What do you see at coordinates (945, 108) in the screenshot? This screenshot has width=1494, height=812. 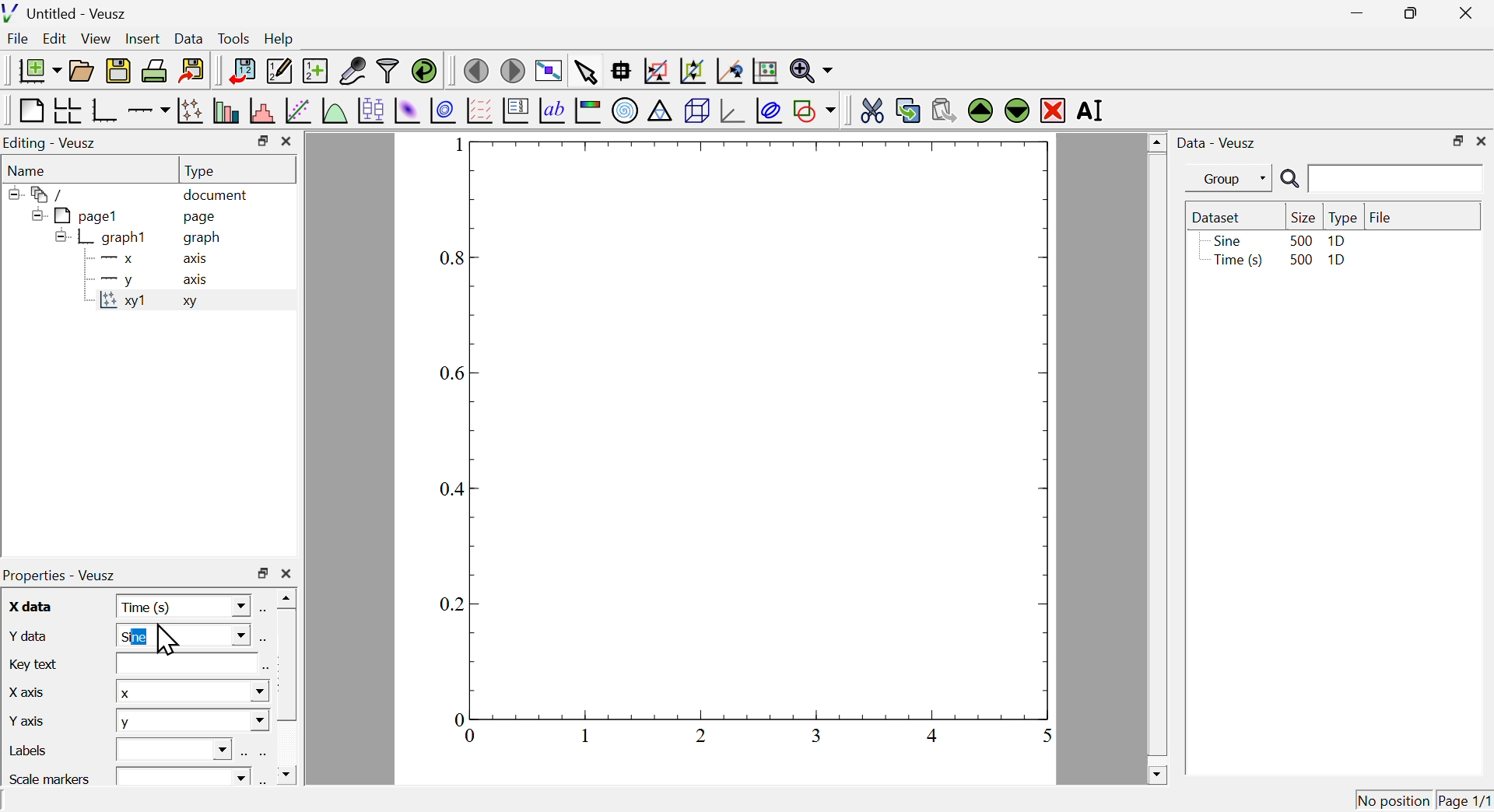 I see `paste widget from the clipboard` at bounding box center [945, 108].